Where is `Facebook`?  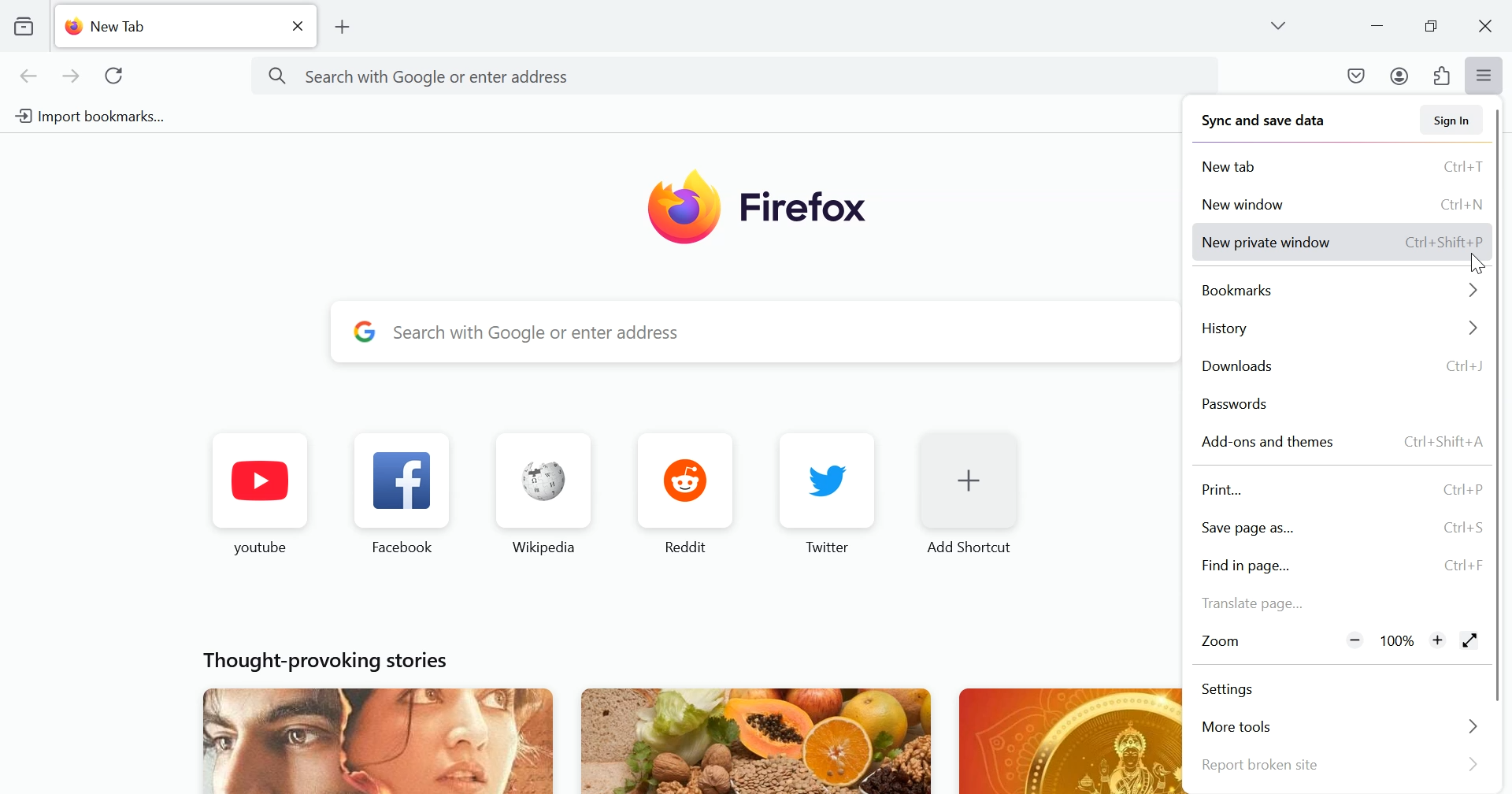 Facebook is located at coordinates (406, 492).